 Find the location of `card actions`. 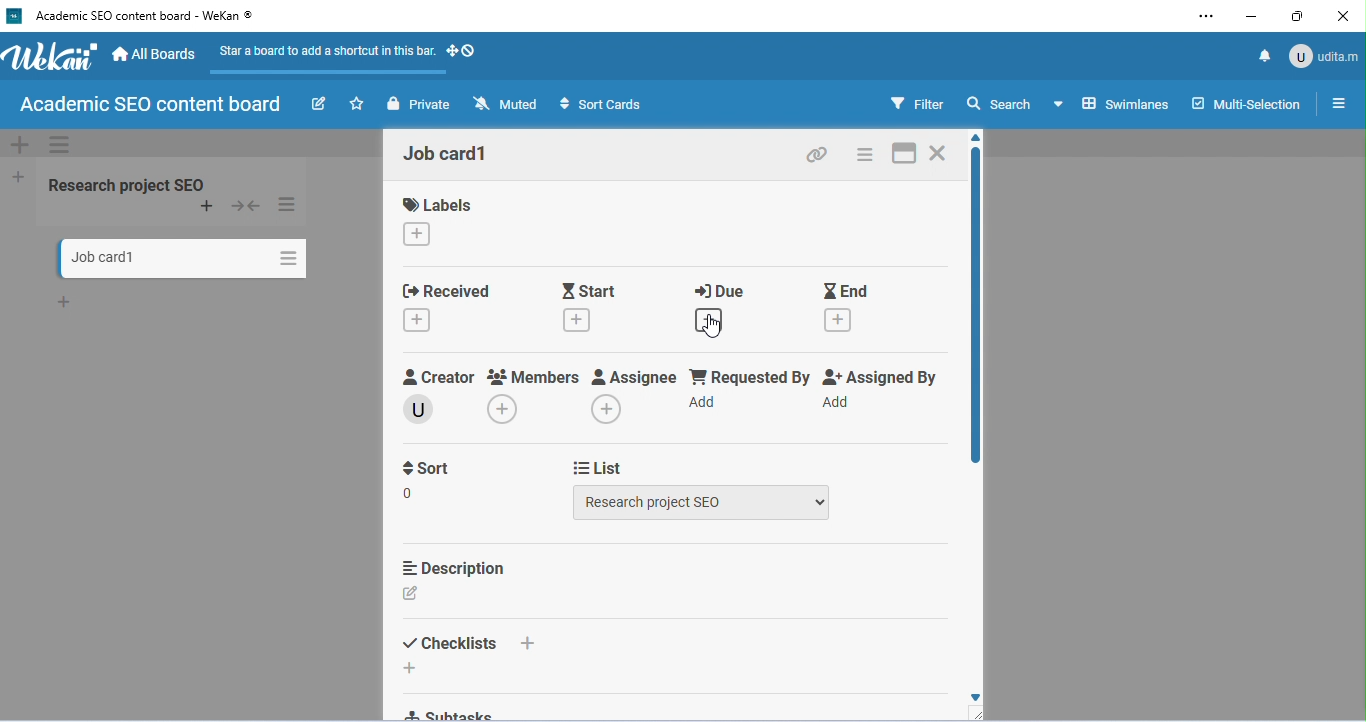

card actions is located at coordinates (866, 154).